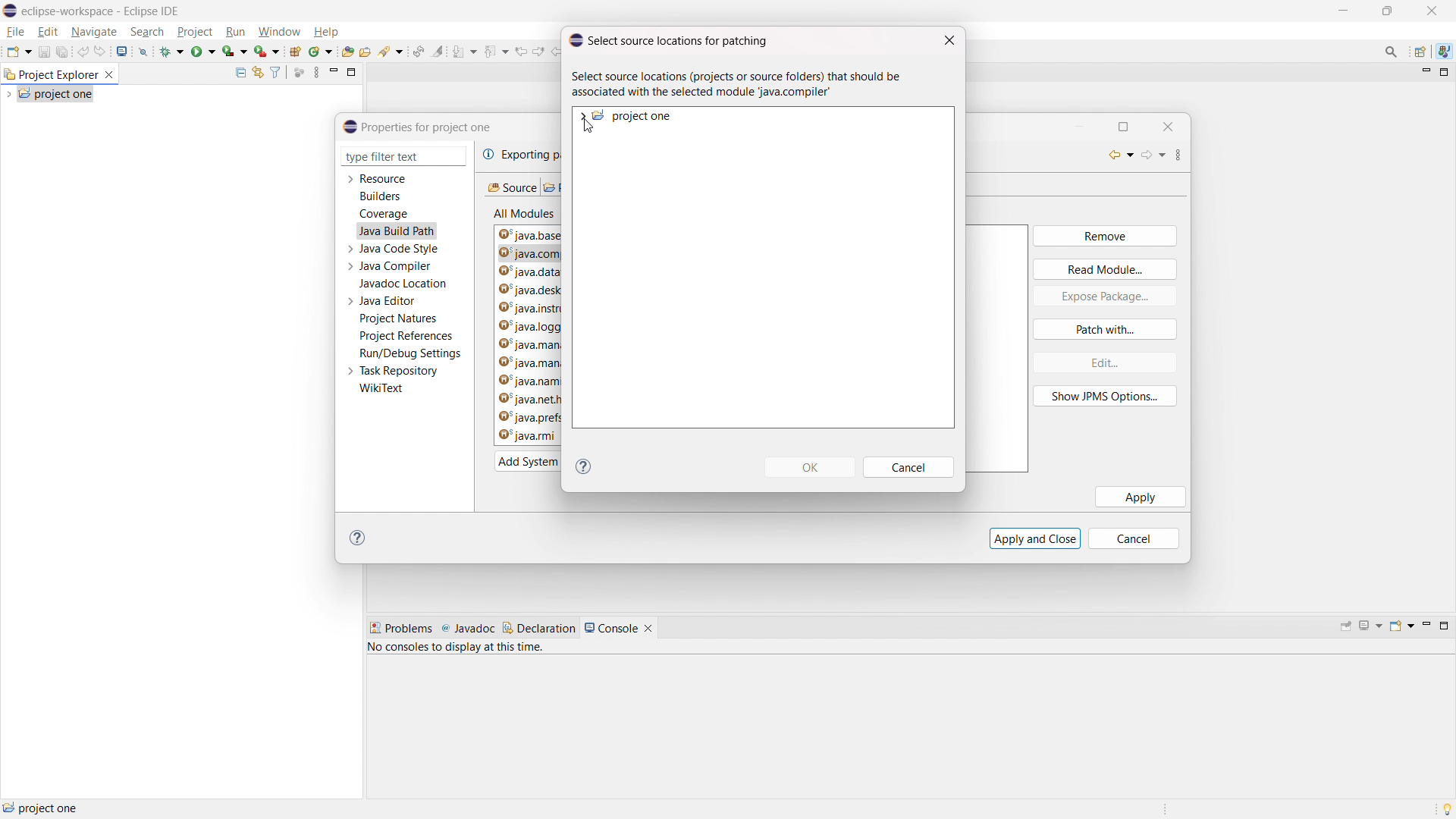 This screenshot has height=819, width=1456. Describe the element at coordinates (1103, 362) in the screenshot. I see `edit` at that location.